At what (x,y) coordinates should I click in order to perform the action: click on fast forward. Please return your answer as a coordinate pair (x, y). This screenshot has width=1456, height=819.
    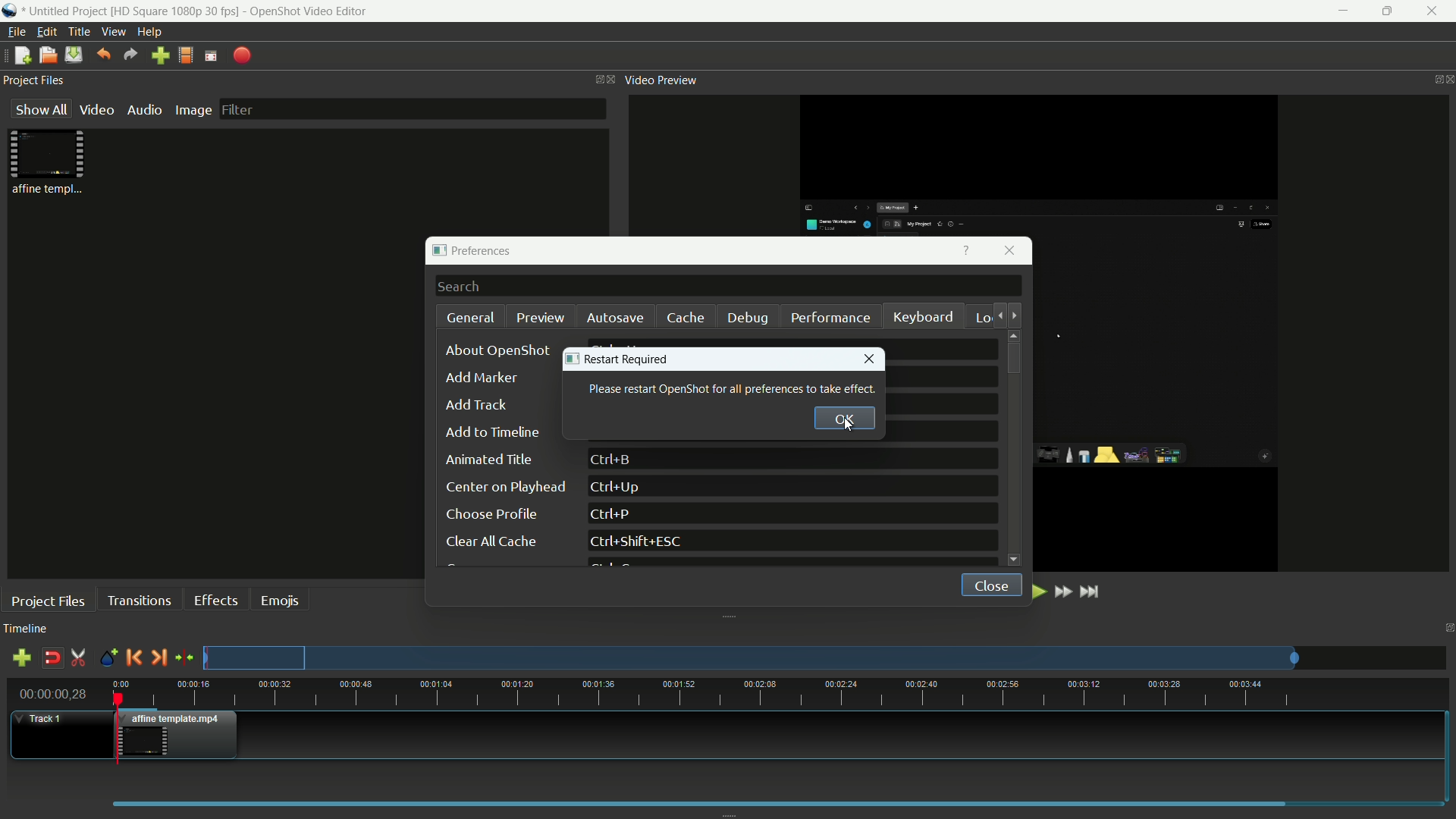
    Looking at the image, I should click on (1065, 592).